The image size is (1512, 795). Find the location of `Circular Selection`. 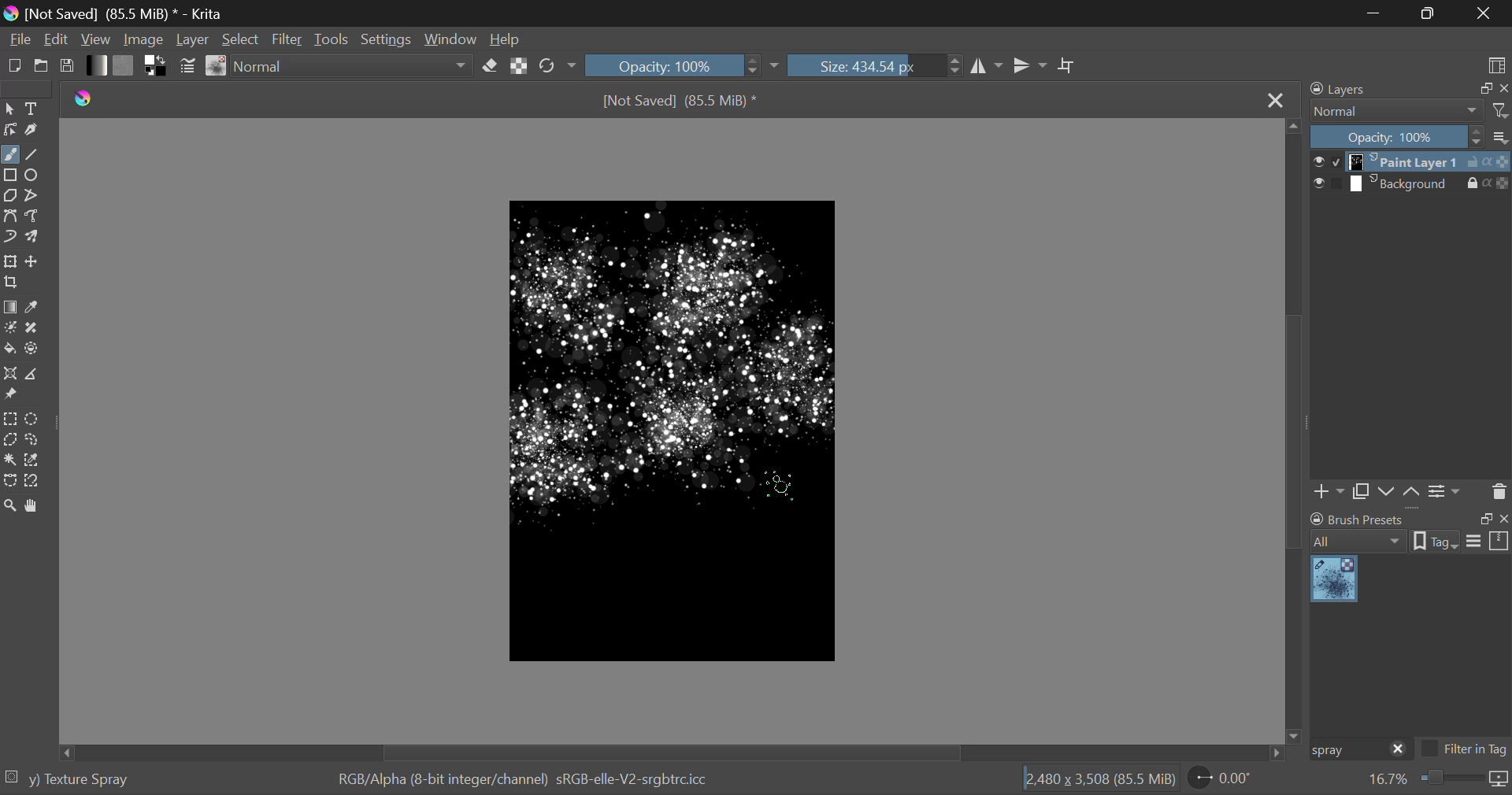

Circular Selection is located at coordinates (32, 419).